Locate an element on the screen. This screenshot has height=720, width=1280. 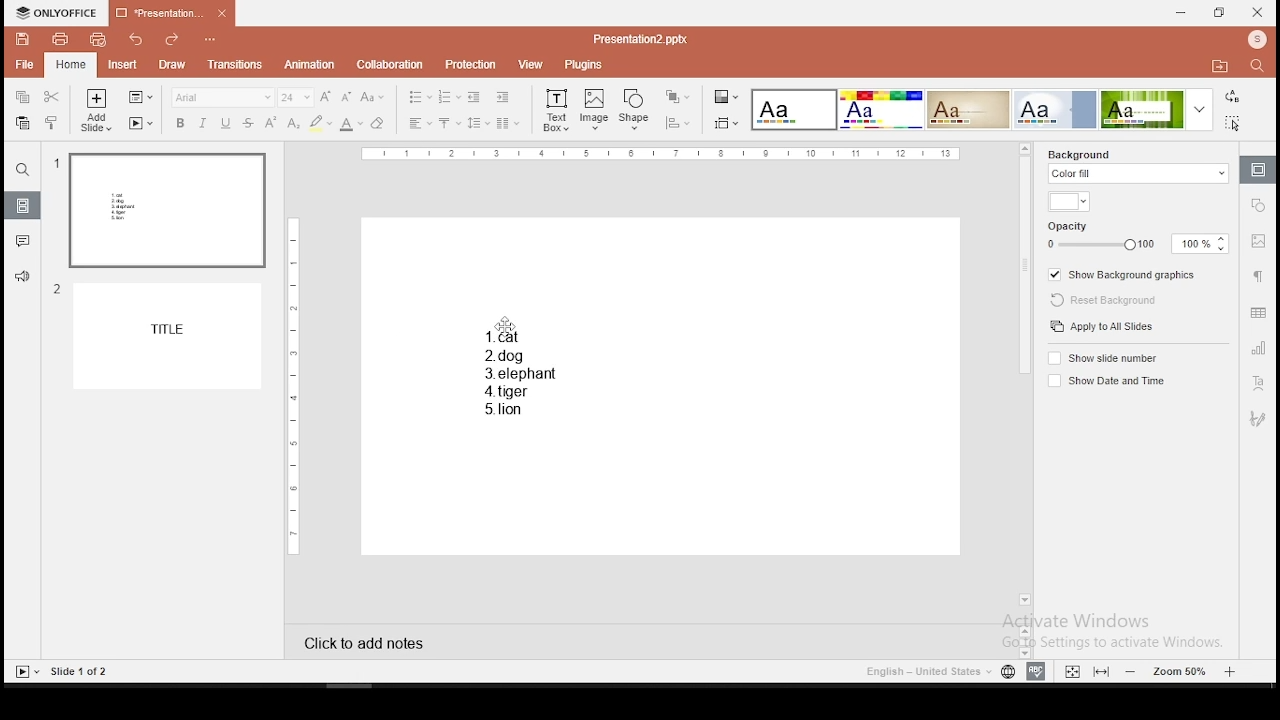
text is located at coordinates (569, 369).